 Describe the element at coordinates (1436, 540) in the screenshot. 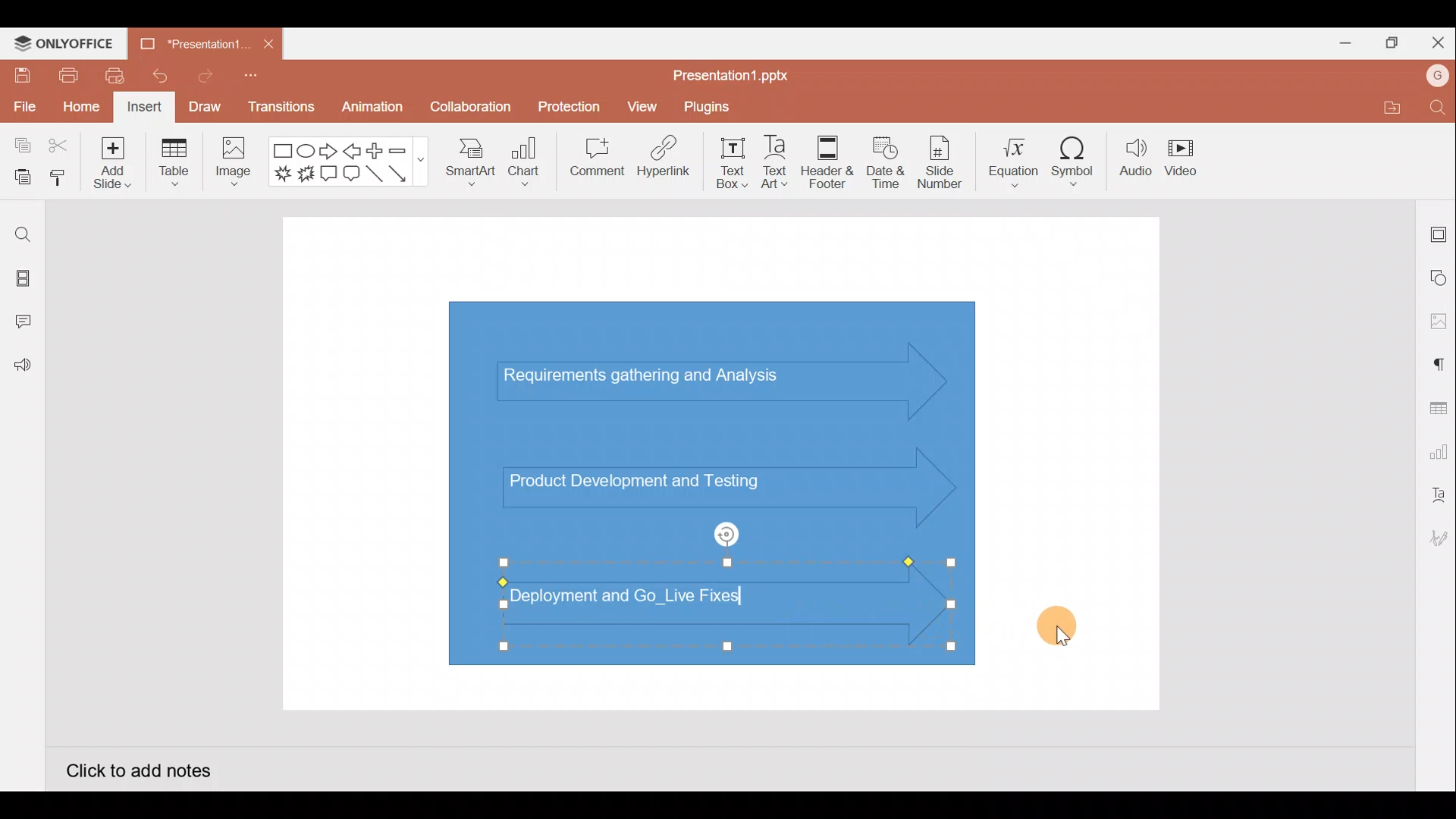

I see `Signature settings` at that location.